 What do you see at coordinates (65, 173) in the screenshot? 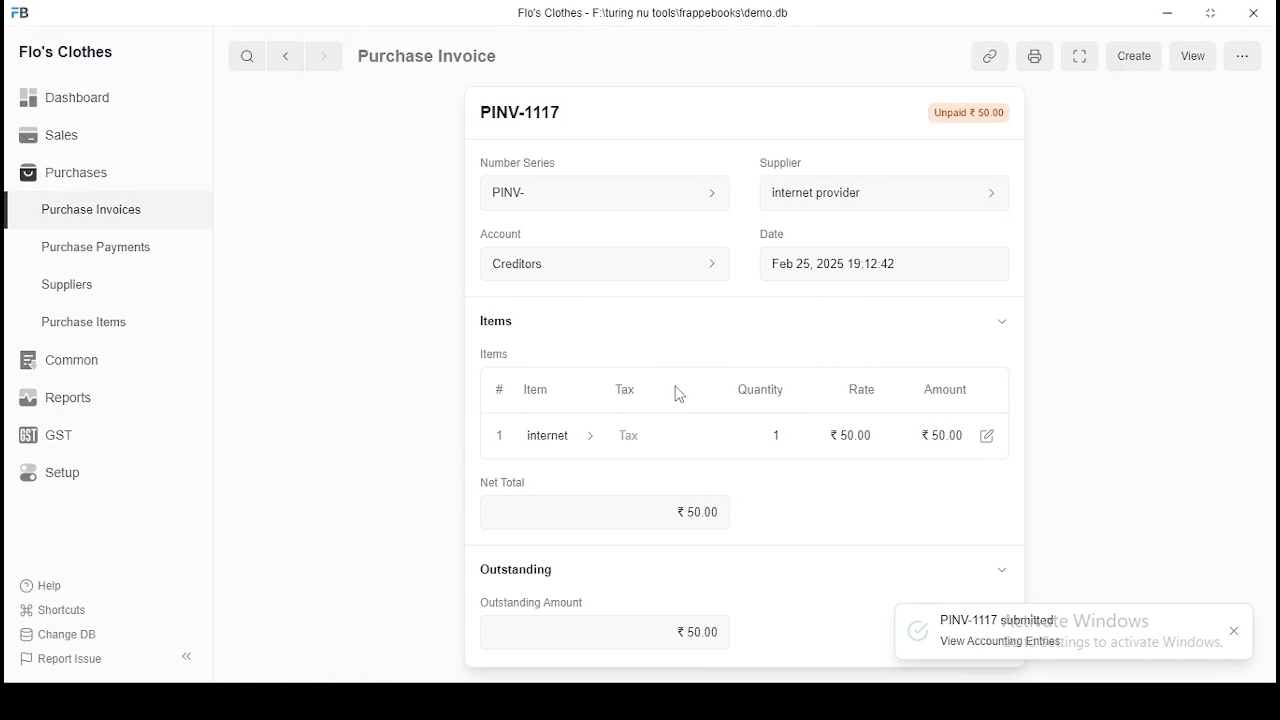
I see `Purchases` at bounding box center [65, 173].